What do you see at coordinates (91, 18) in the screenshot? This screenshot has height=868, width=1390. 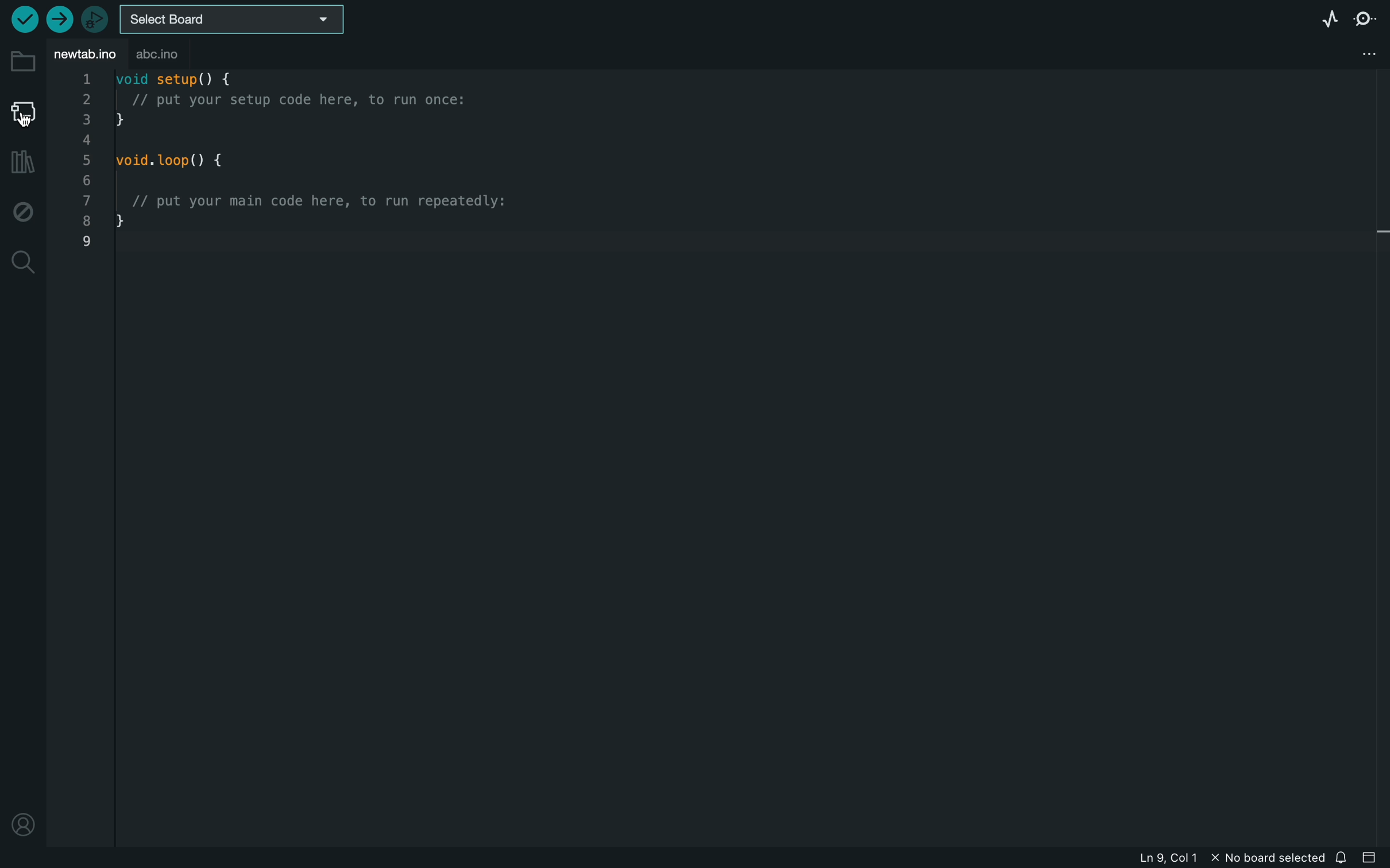 I see `debugger` at bounding box center [91, 18].